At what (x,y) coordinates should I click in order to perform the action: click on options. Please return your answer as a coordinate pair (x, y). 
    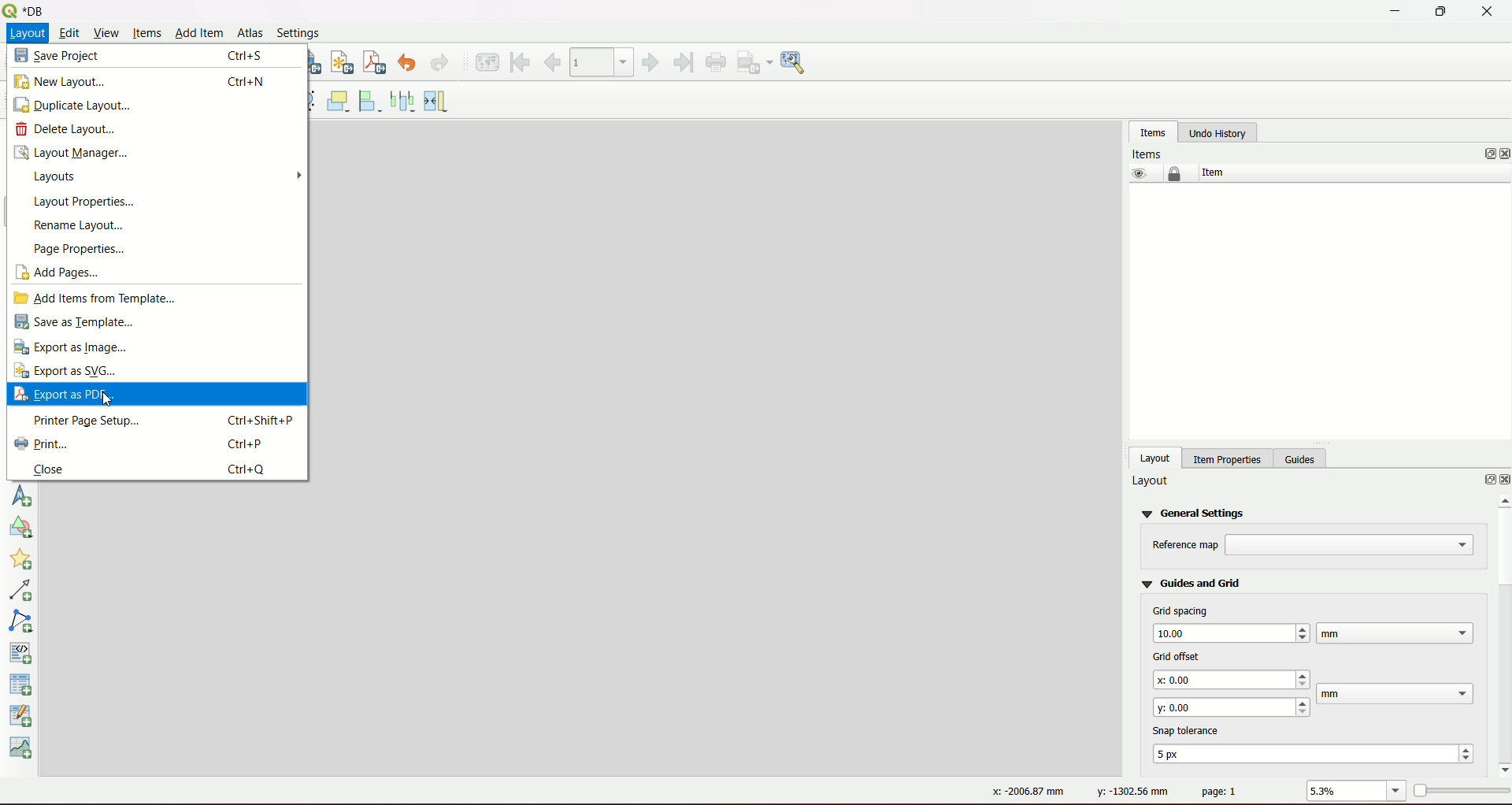
    Looking at the image, I should click on (1480, 154).